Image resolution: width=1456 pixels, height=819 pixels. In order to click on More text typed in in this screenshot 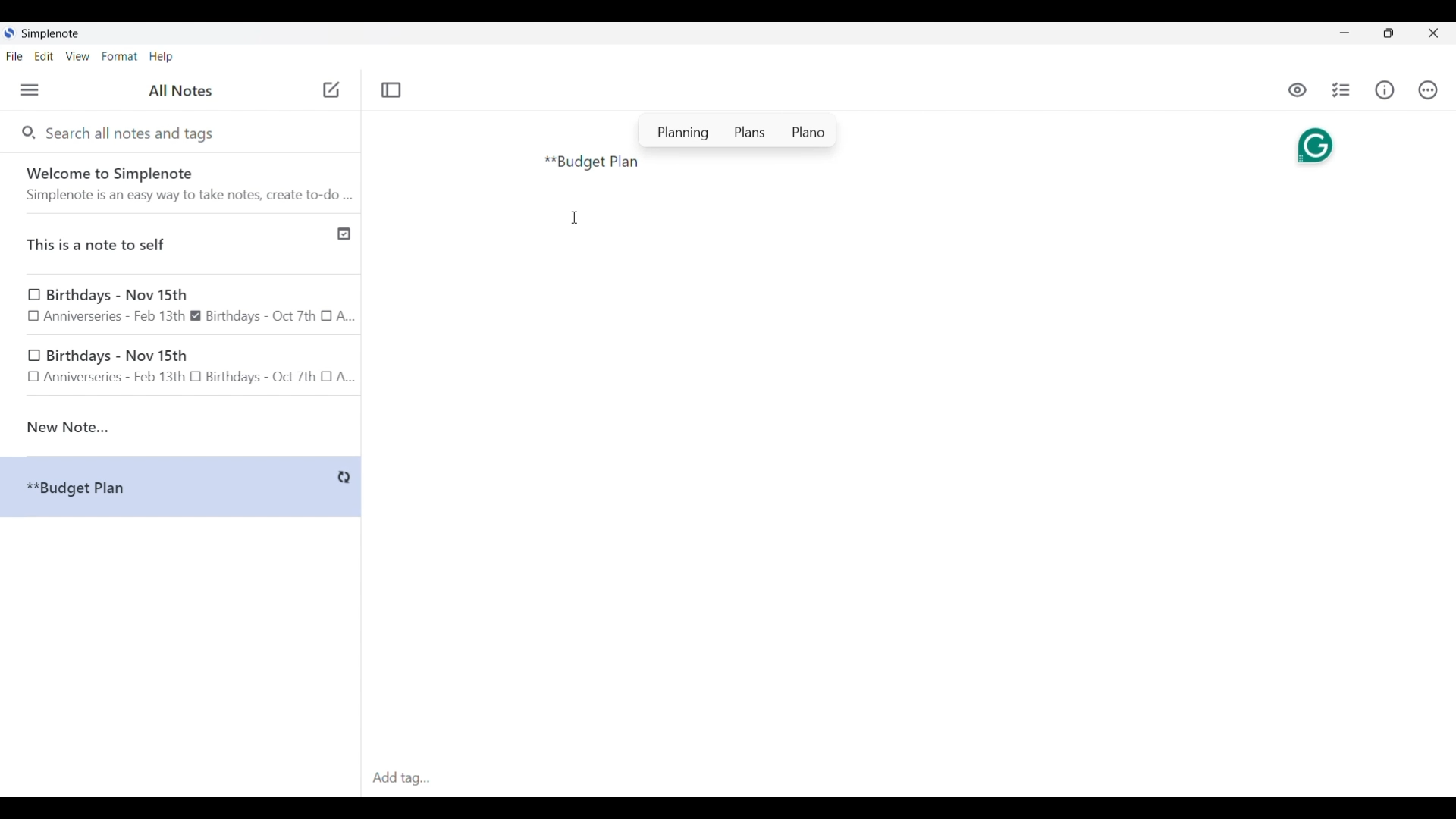, I will do `click(592, 163)`.